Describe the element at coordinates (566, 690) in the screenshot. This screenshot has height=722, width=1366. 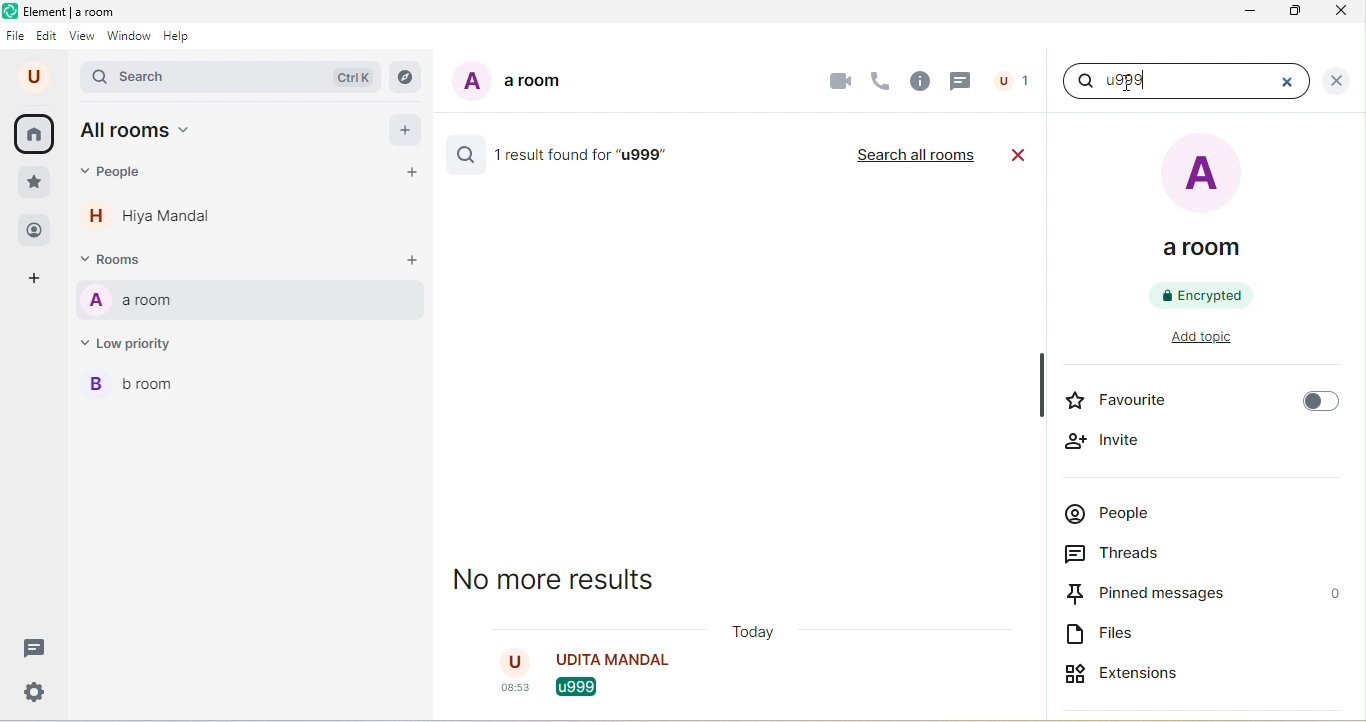
I see `u999` at that location.